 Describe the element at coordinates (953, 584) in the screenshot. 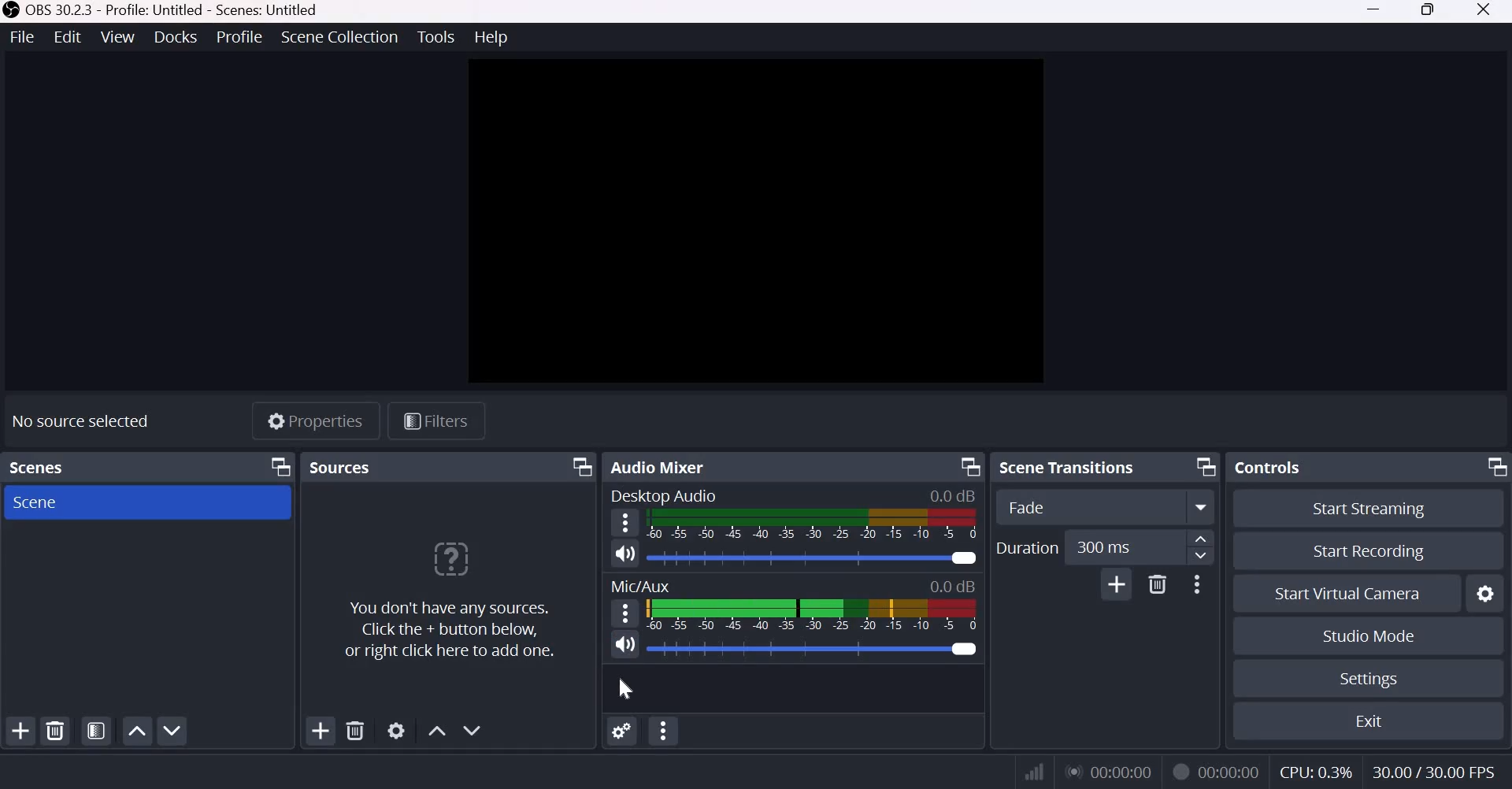

I see `0.00 dB` at that location.